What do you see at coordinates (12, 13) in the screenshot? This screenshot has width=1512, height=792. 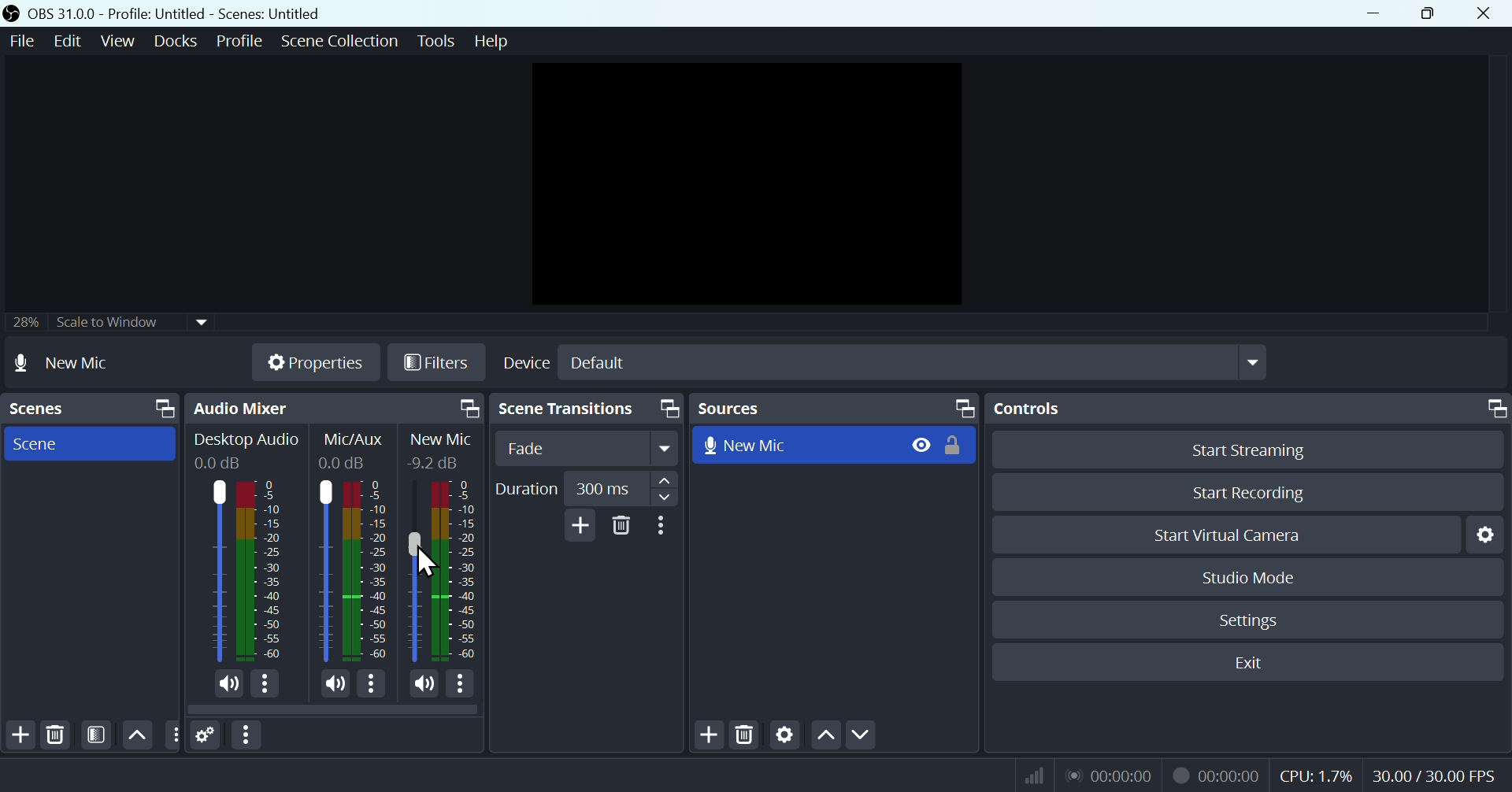 I see `OBS Studio Desktop Icon` at bounding box center [12, 13].